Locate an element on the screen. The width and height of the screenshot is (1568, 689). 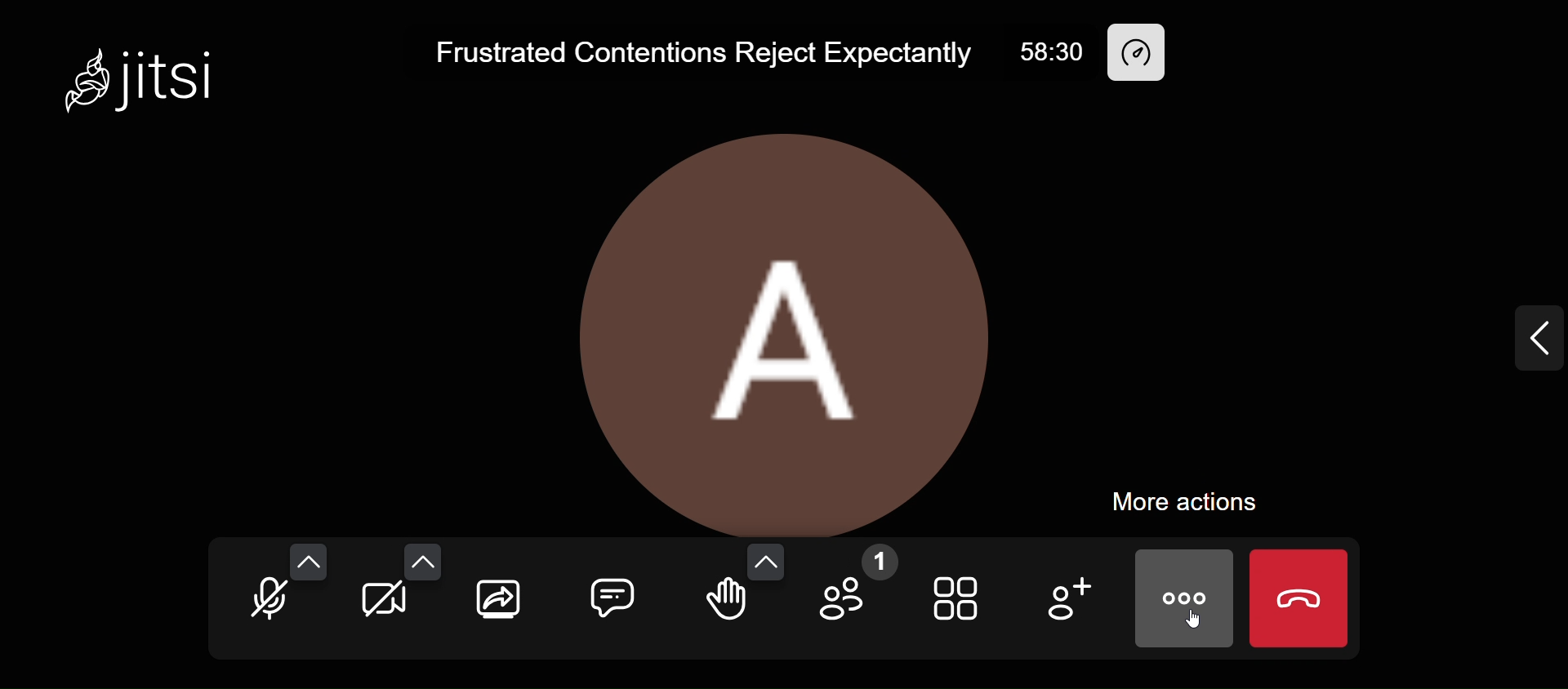
more actions is located at coordinates (1143, 599).